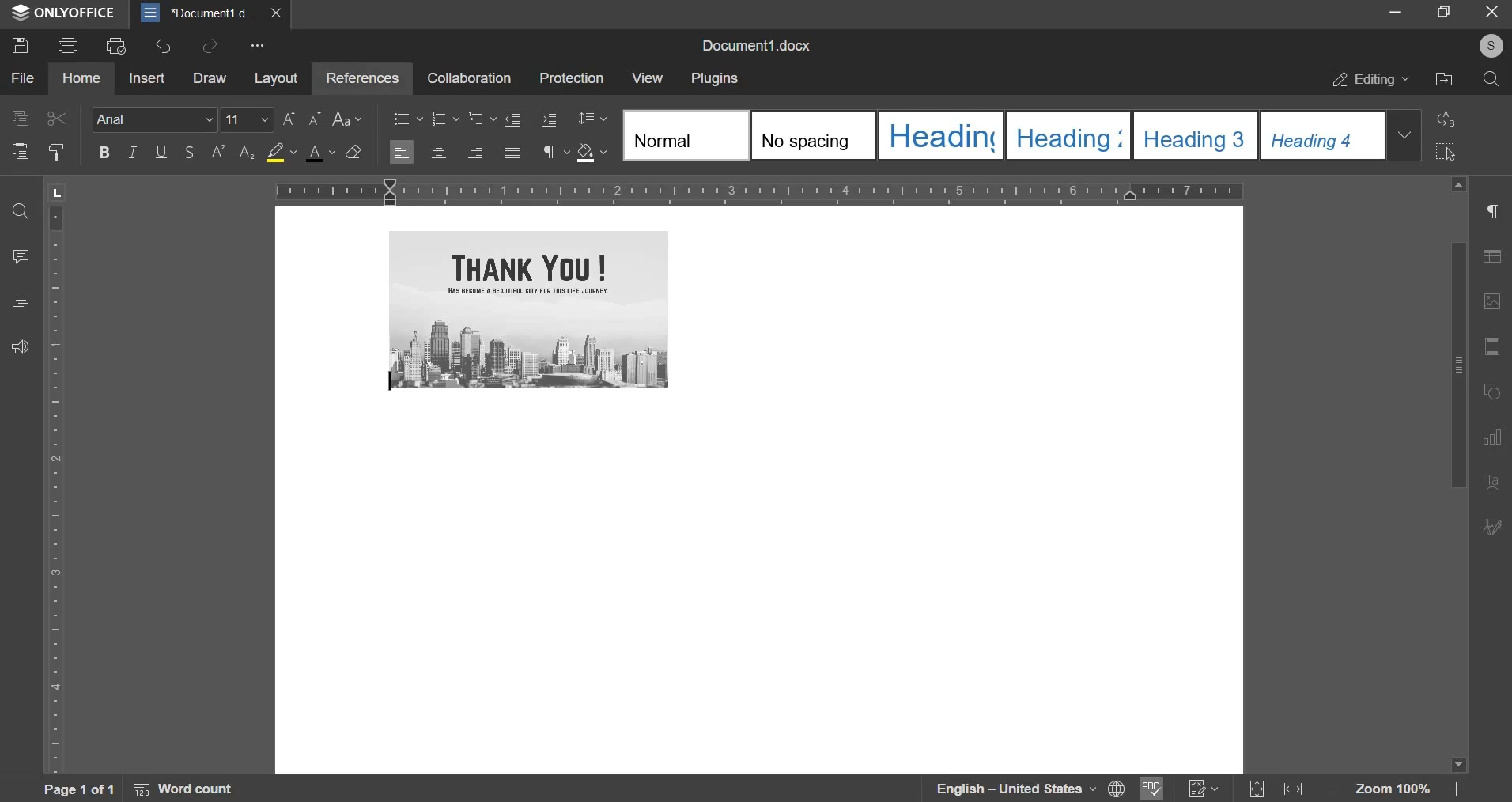 Image resolution: width=1512 pixels, height=802 pixels. I want to click on align left, so click(403, 151).